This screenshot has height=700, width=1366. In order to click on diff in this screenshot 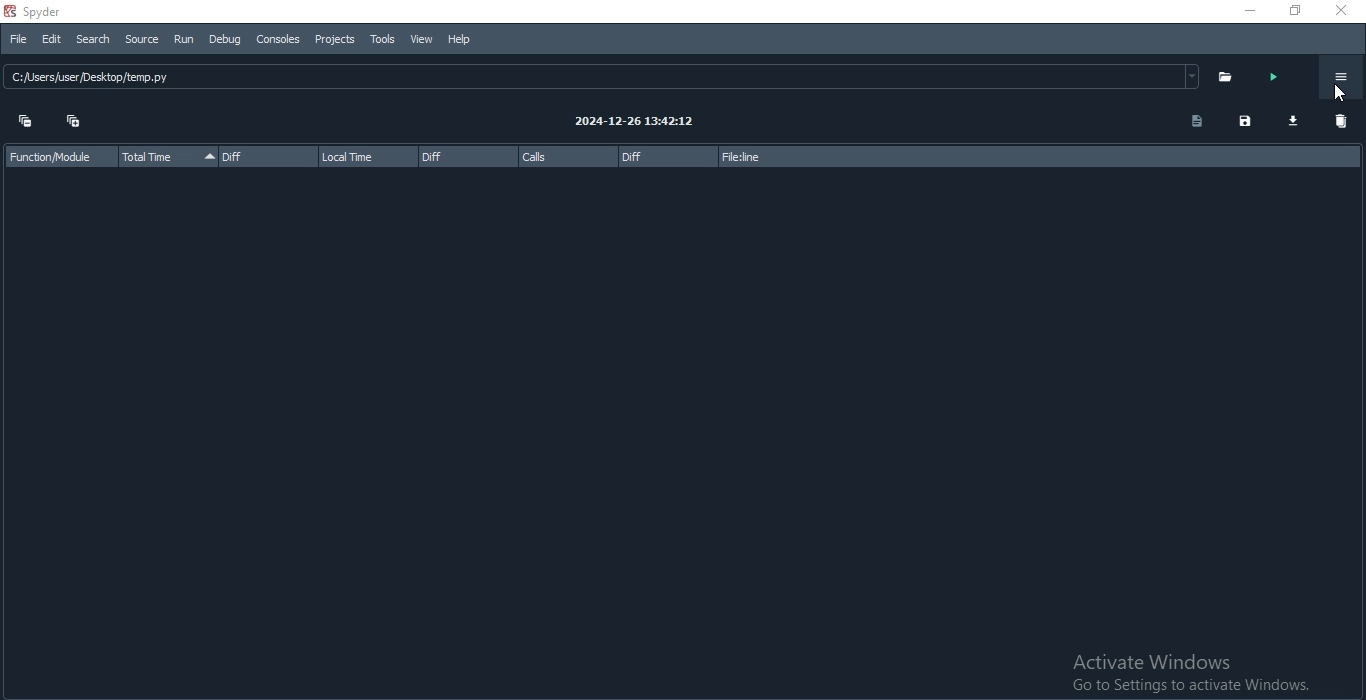, I will do `click(666, 159)`.